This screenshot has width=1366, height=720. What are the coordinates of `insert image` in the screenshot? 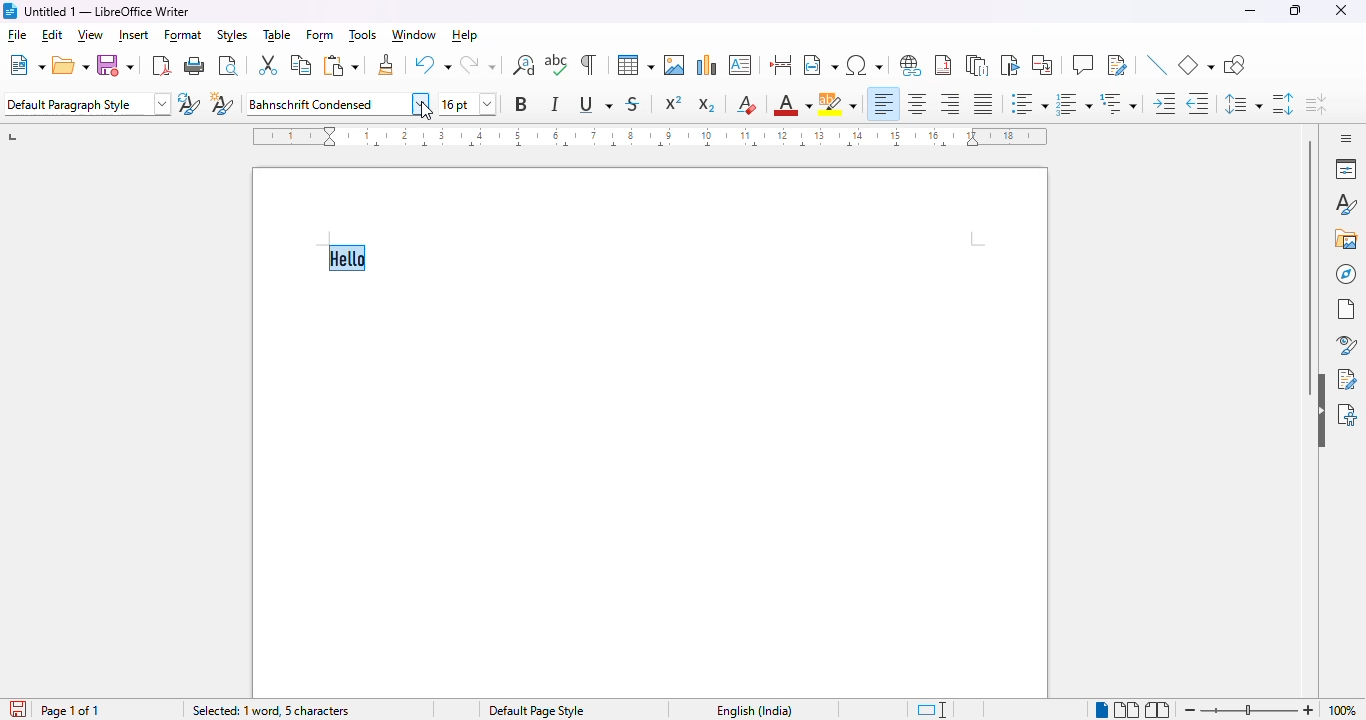 It's located at (675, 65).